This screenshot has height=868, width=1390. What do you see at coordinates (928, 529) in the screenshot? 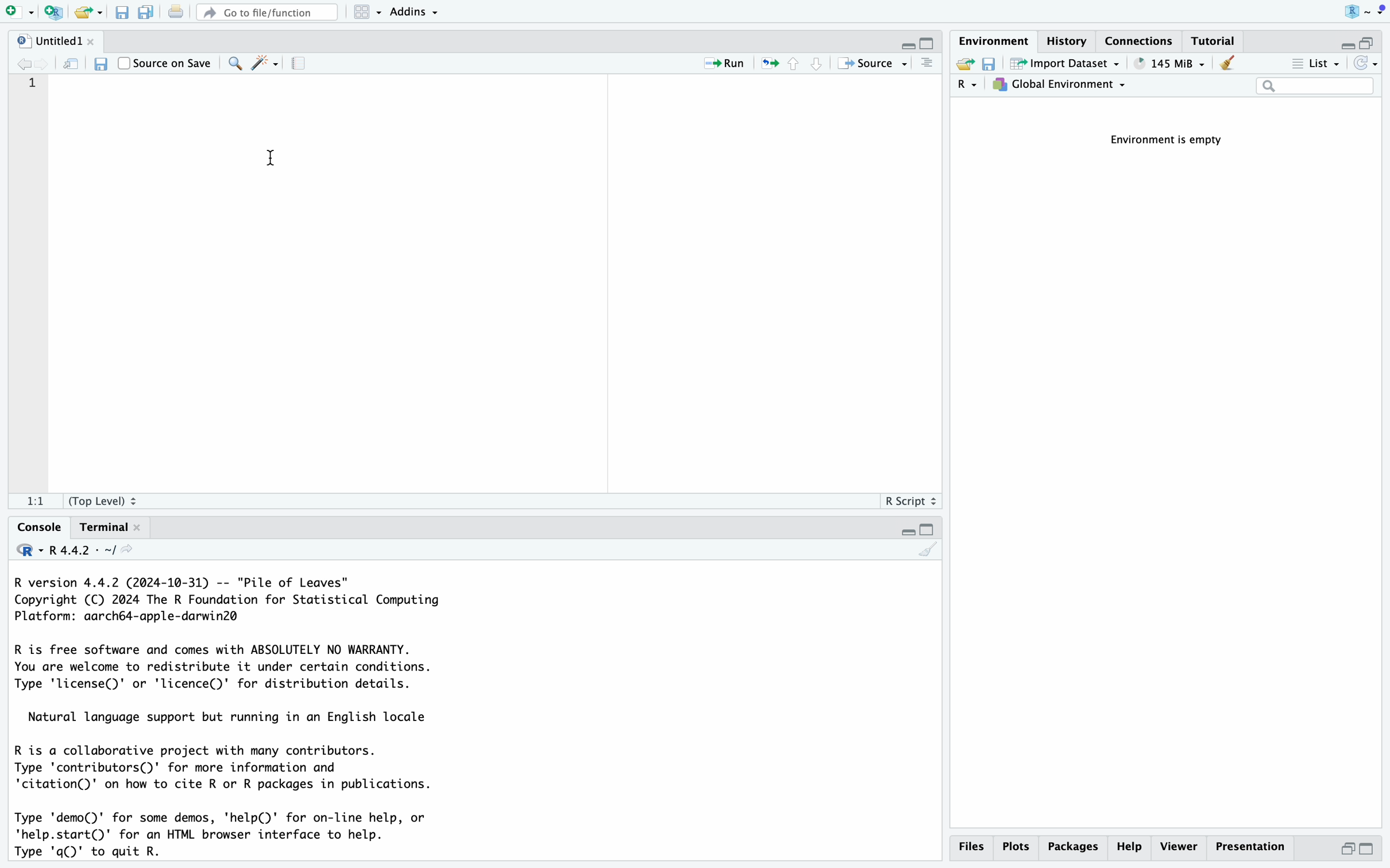
I see `maximize` at bounding box center [928, 529].